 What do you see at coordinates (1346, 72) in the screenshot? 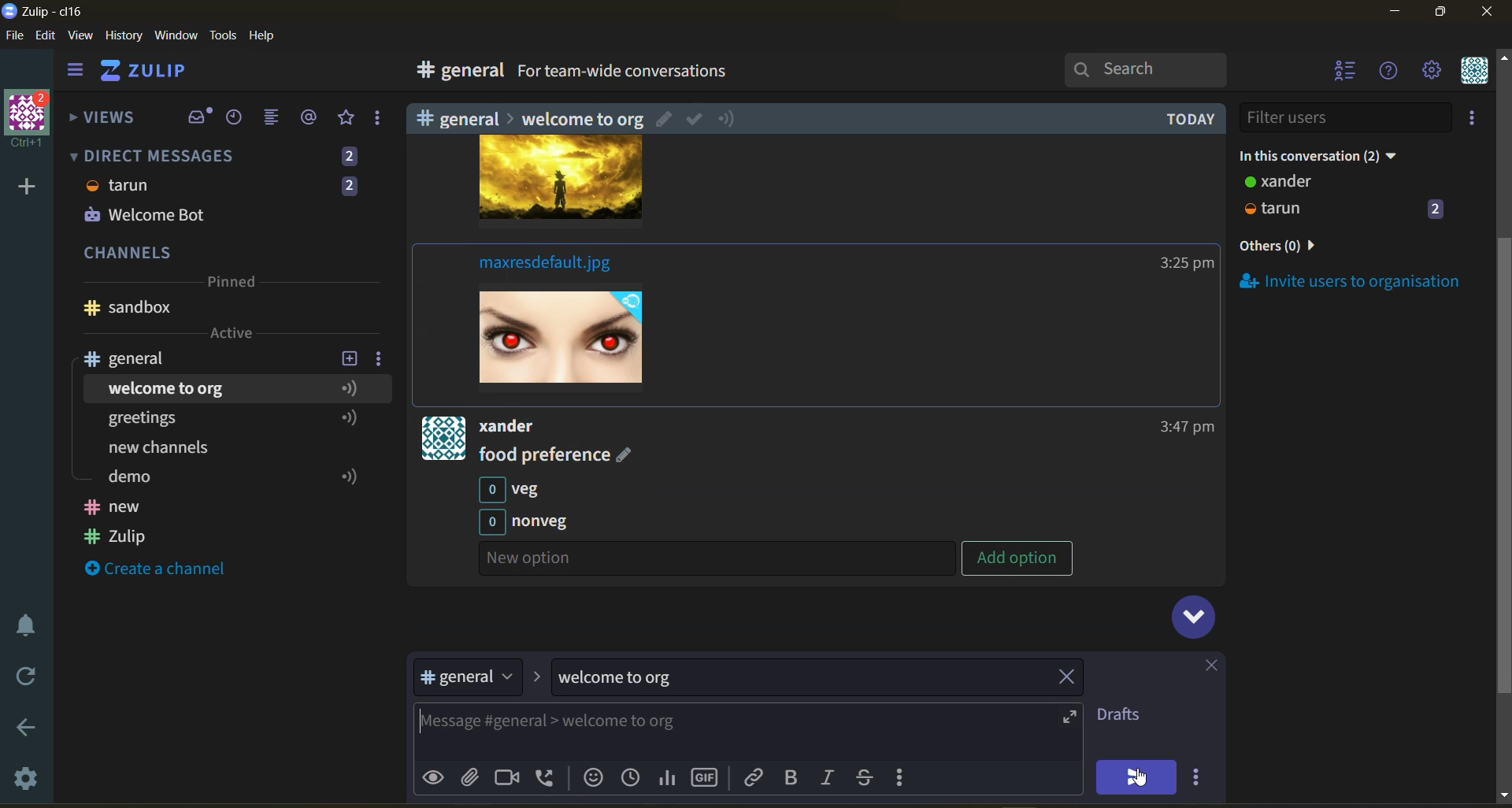
I see `hide user list` at bounding box center [1346, 72].